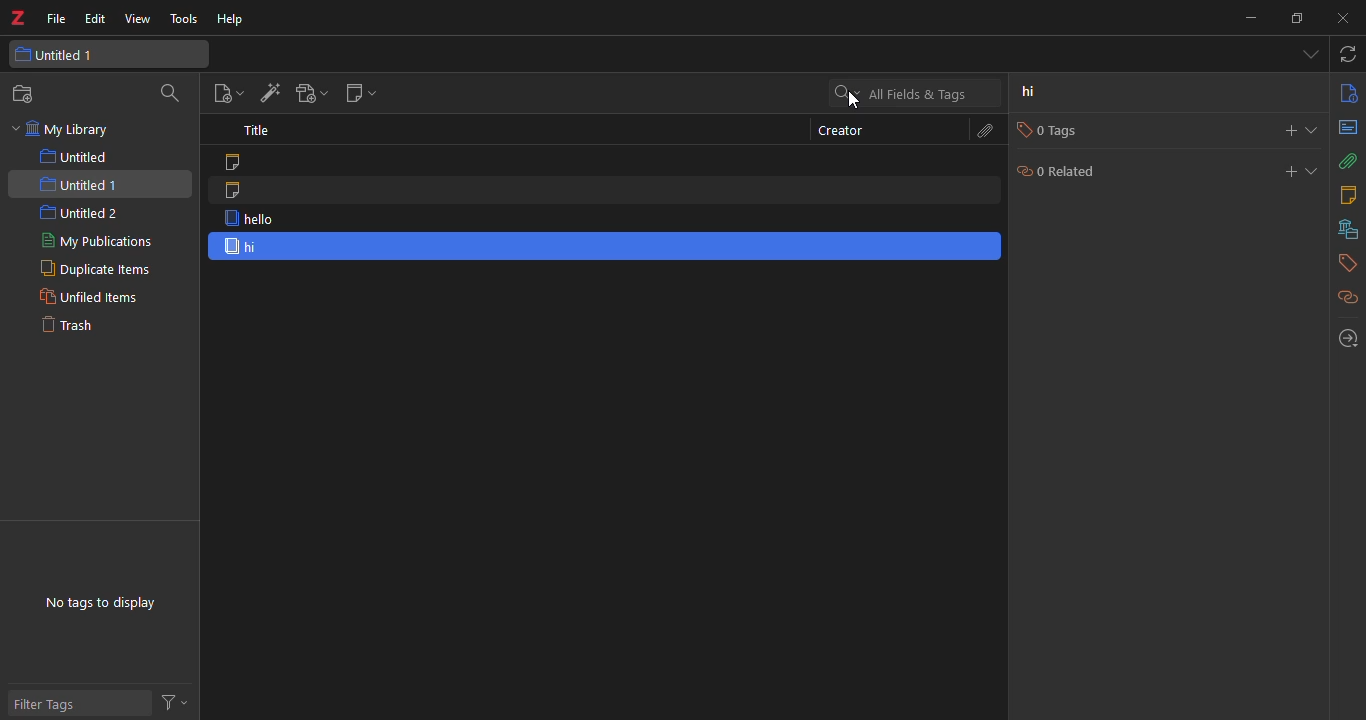 This screenshot has height=720, width=1366. Describe the element at coordinates (94, 19) in the screenshot. I see `edit` at that location.